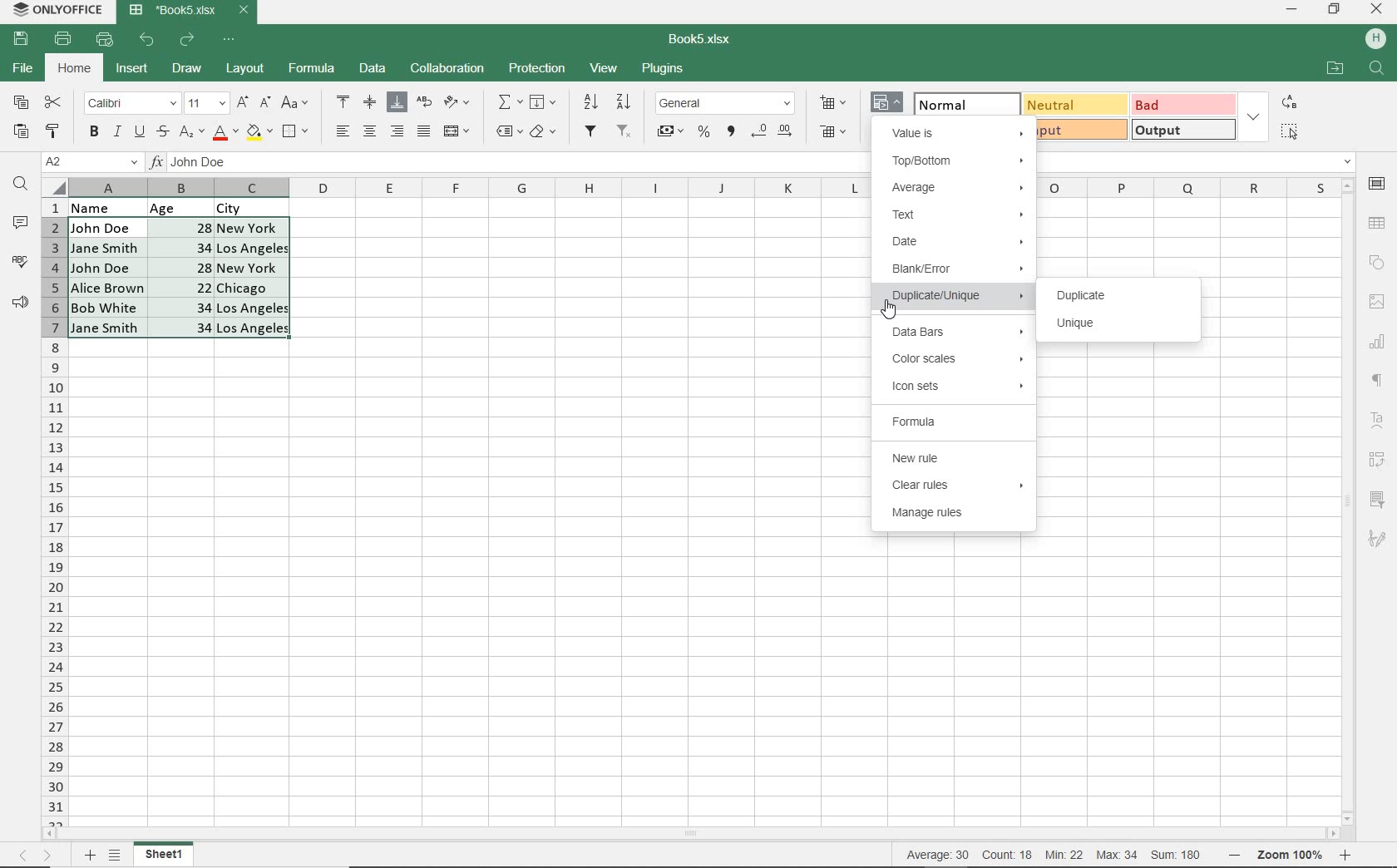 The width and height of the screenshot is (1397, 868). What do you see at coordinates (1350, 501) in the screenshot?
I see `SCROLLBAR` at bounding box center [1350, 501].